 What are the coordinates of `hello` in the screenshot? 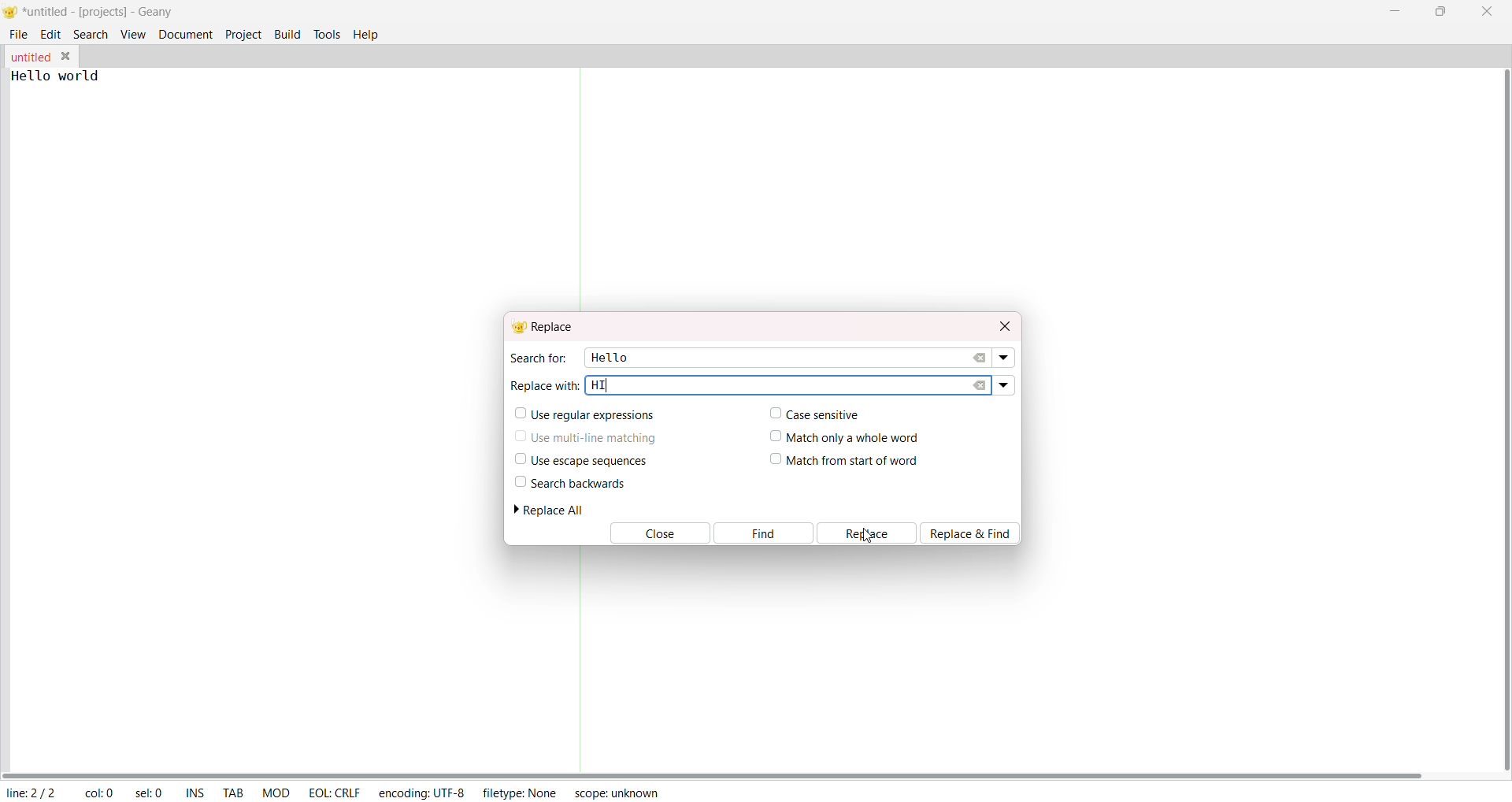 It's located at (607, 356).